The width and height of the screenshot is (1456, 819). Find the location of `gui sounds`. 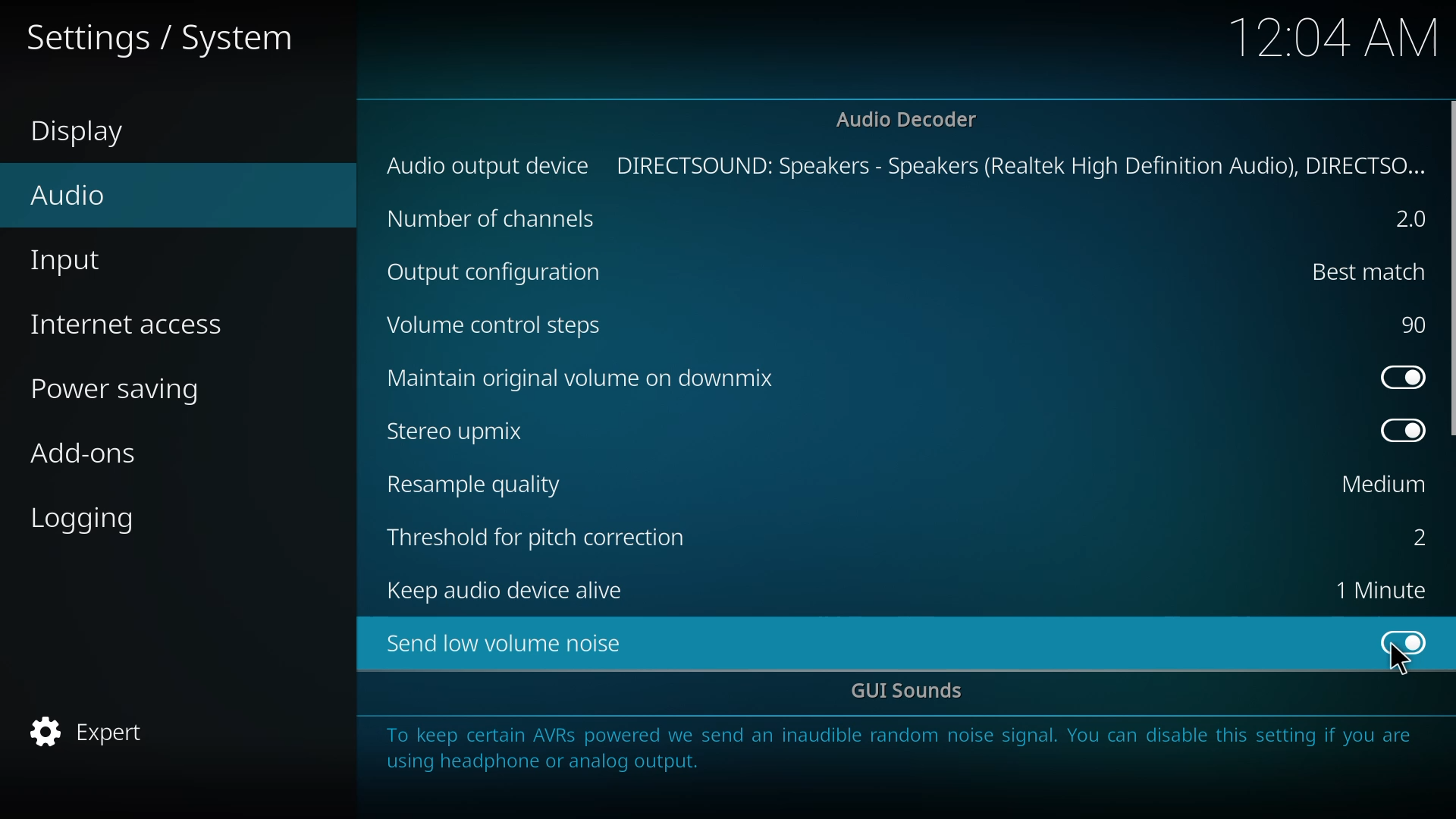

gui sounds is located at coordinates (911, 692).